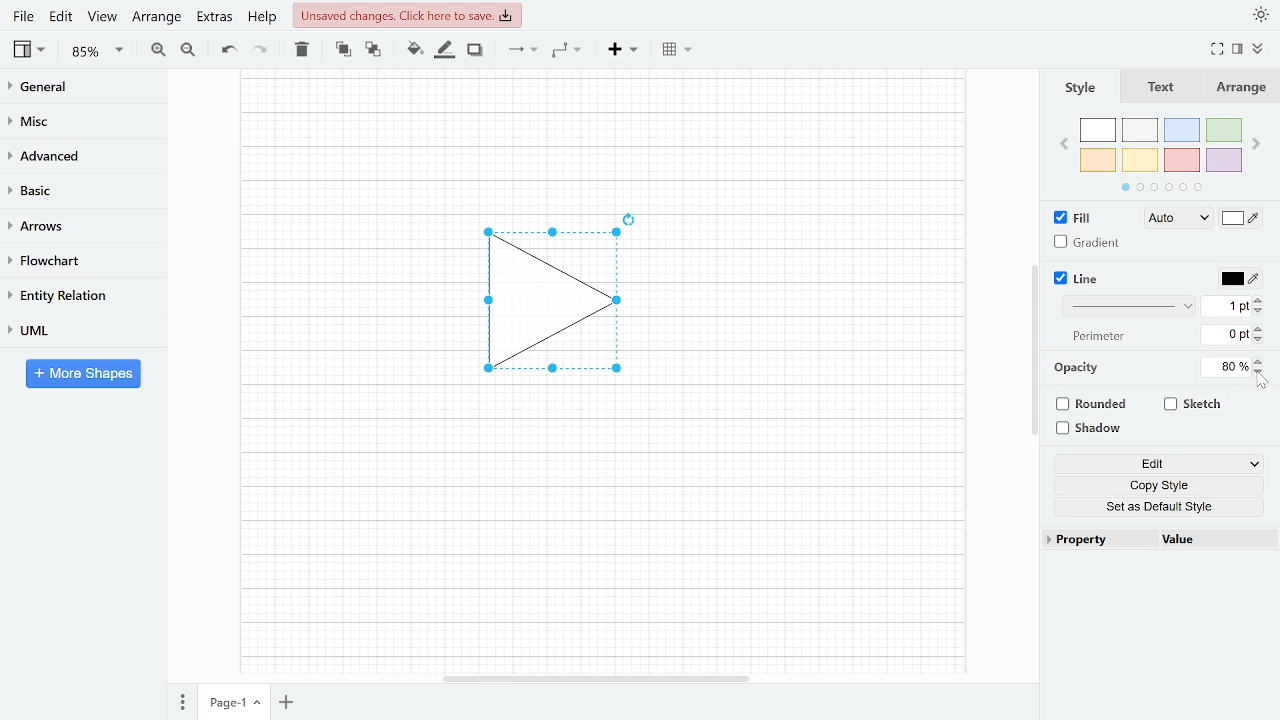  Describe the element at coordinates (563, 307) in the screenshot. I see `Triangle` at that location.